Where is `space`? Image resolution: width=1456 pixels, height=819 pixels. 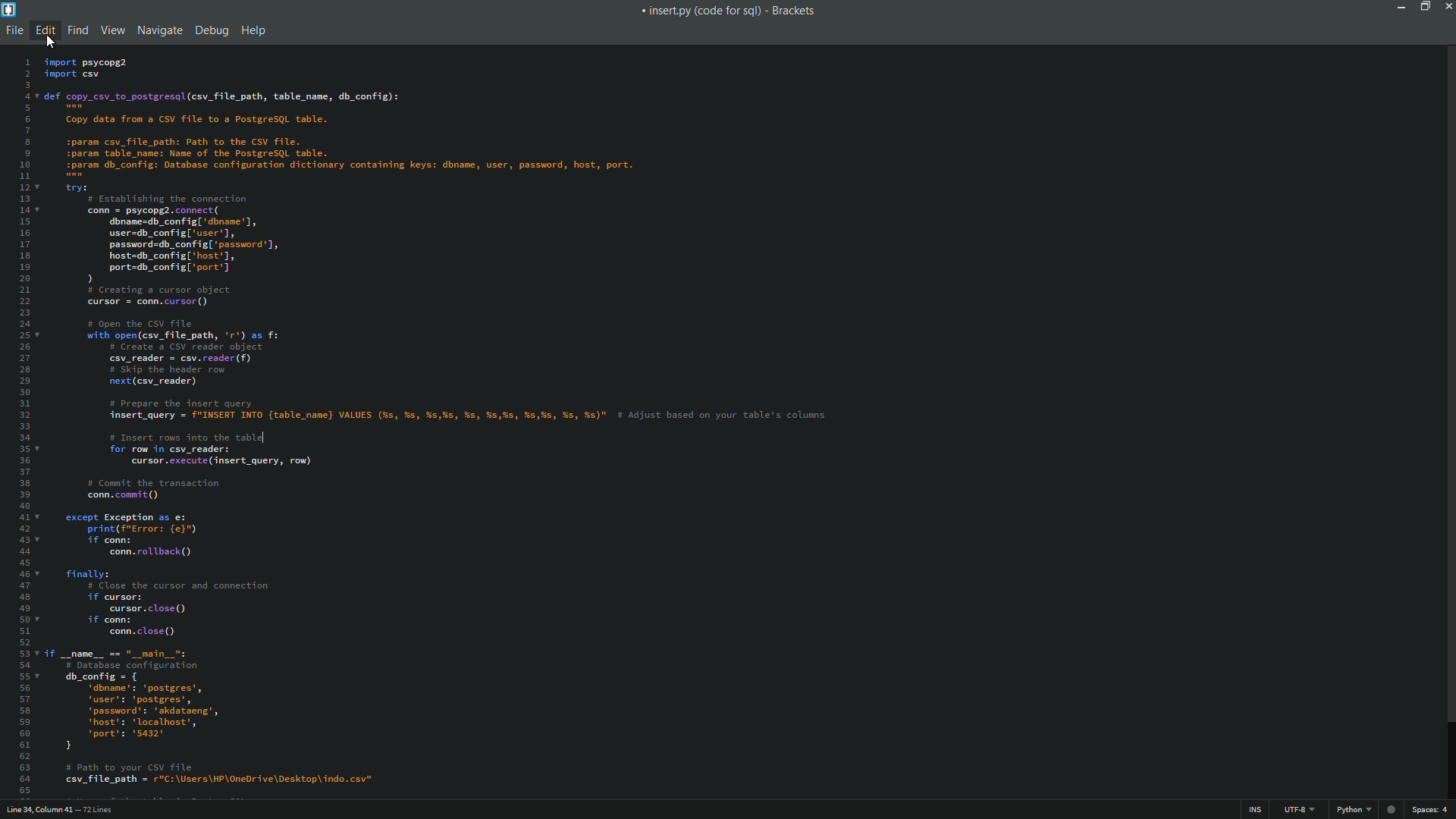
space is located at coordinates (1432, 810).